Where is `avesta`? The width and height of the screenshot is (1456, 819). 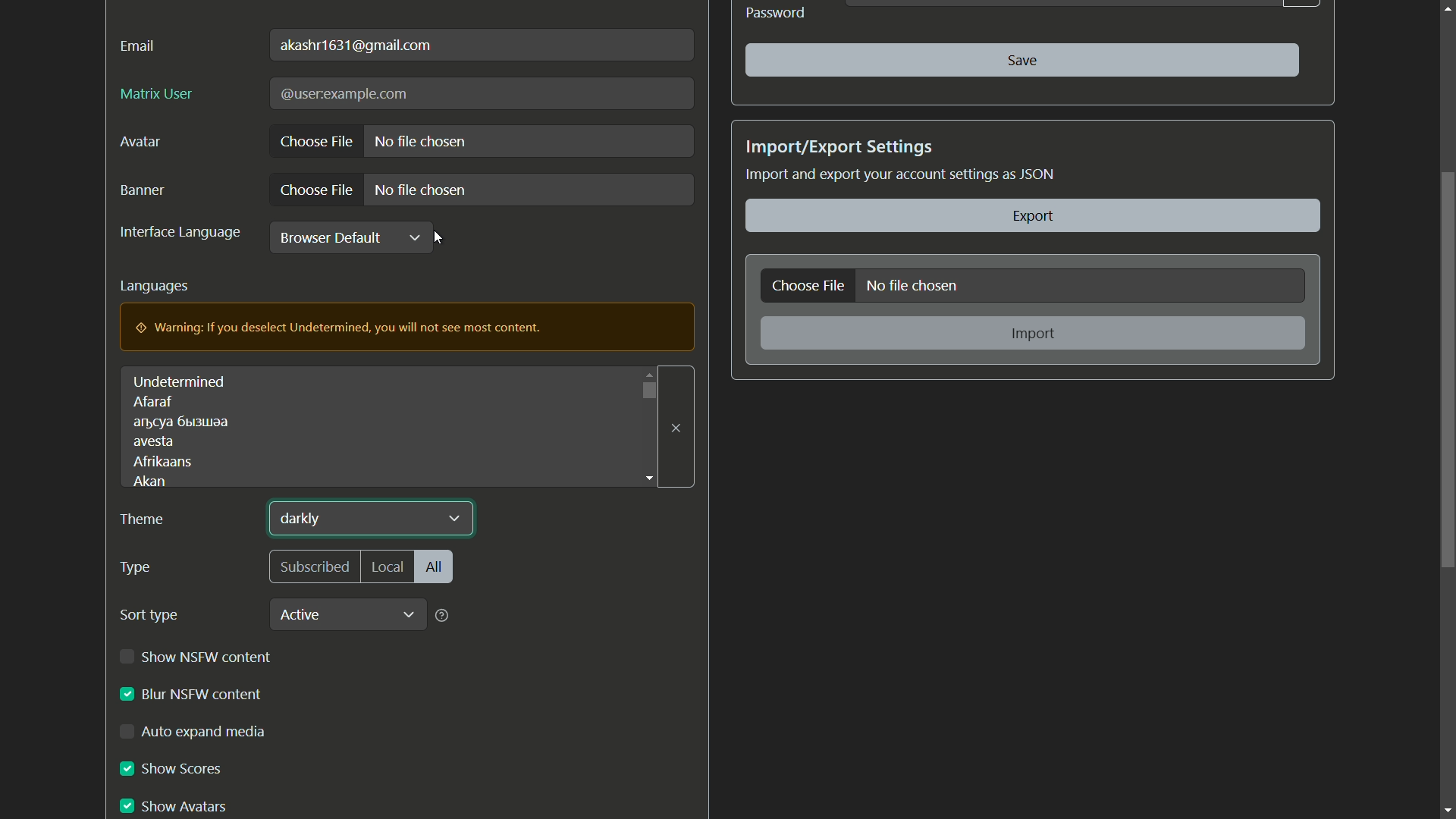 avesta is located at coordinates (153, 443).